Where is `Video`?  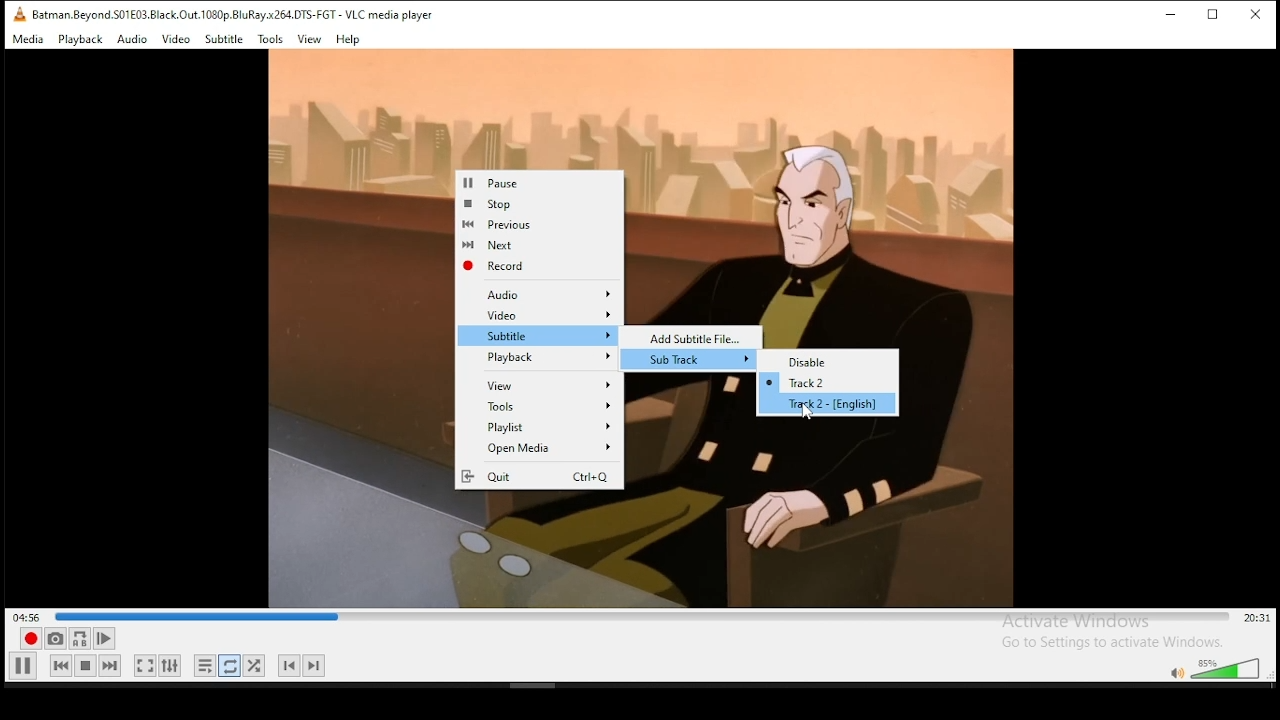
Video is located at coordinates (175, 40).